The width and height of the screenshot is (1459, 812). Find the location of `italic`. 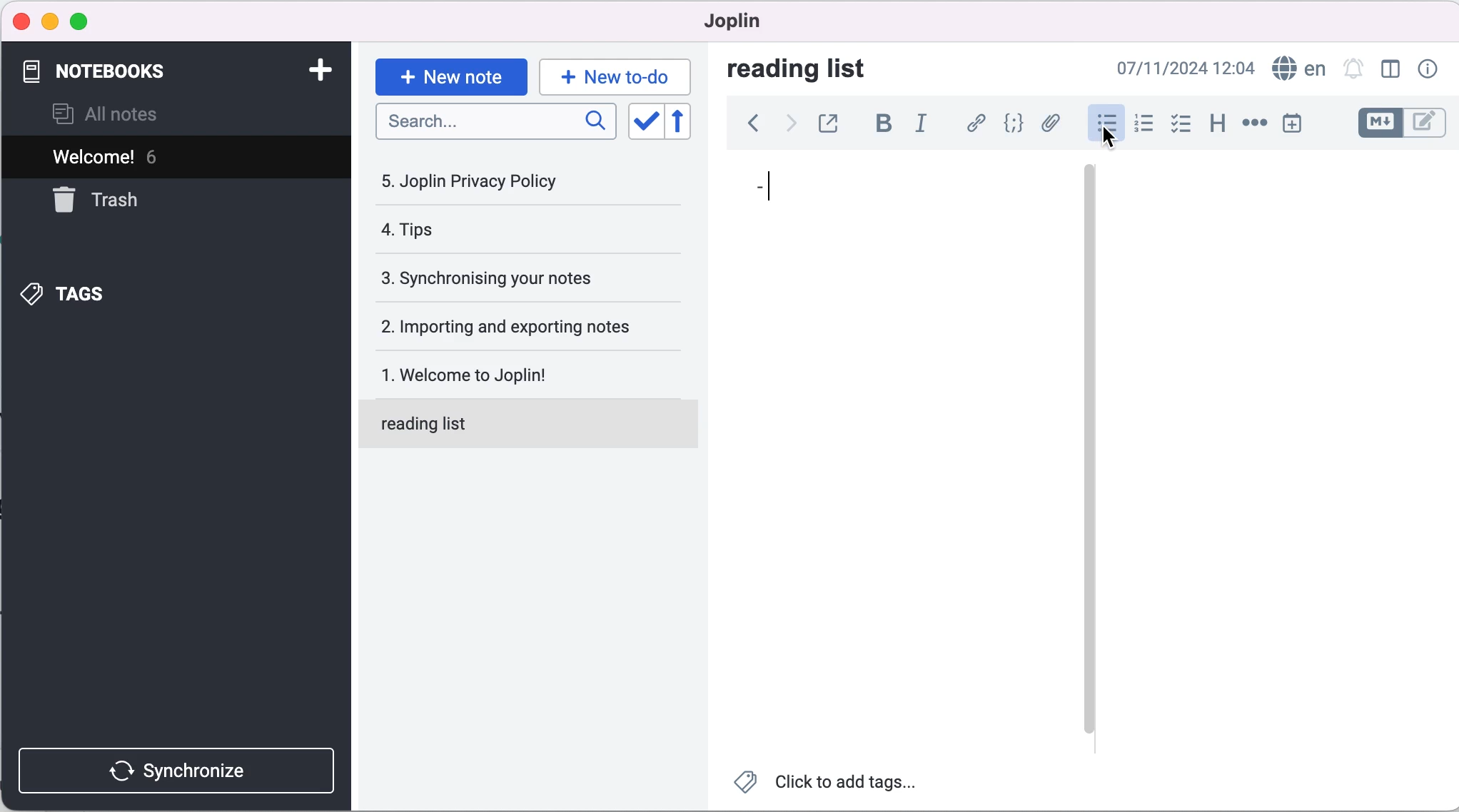

italic is located at coordinates (924, 123).